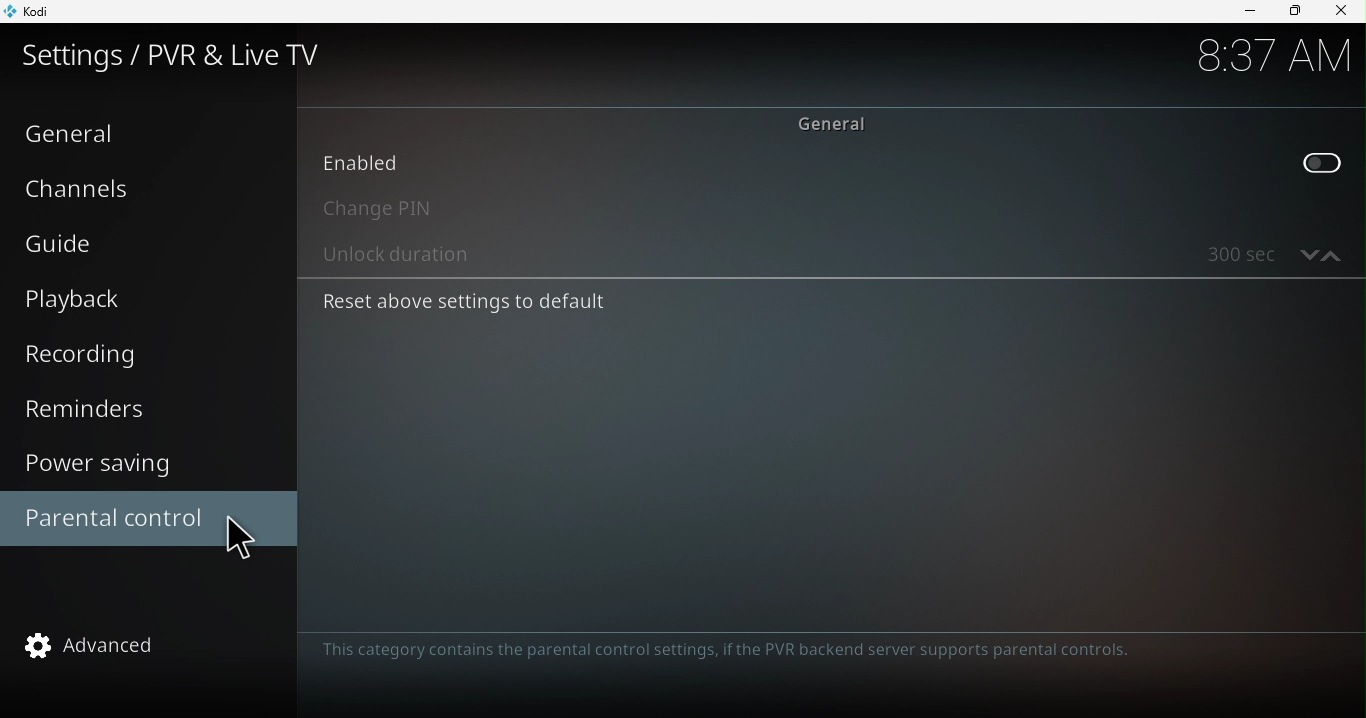  Describe the element at coordinates (1333, 253) in the screenshot. I see `increase` at that location.